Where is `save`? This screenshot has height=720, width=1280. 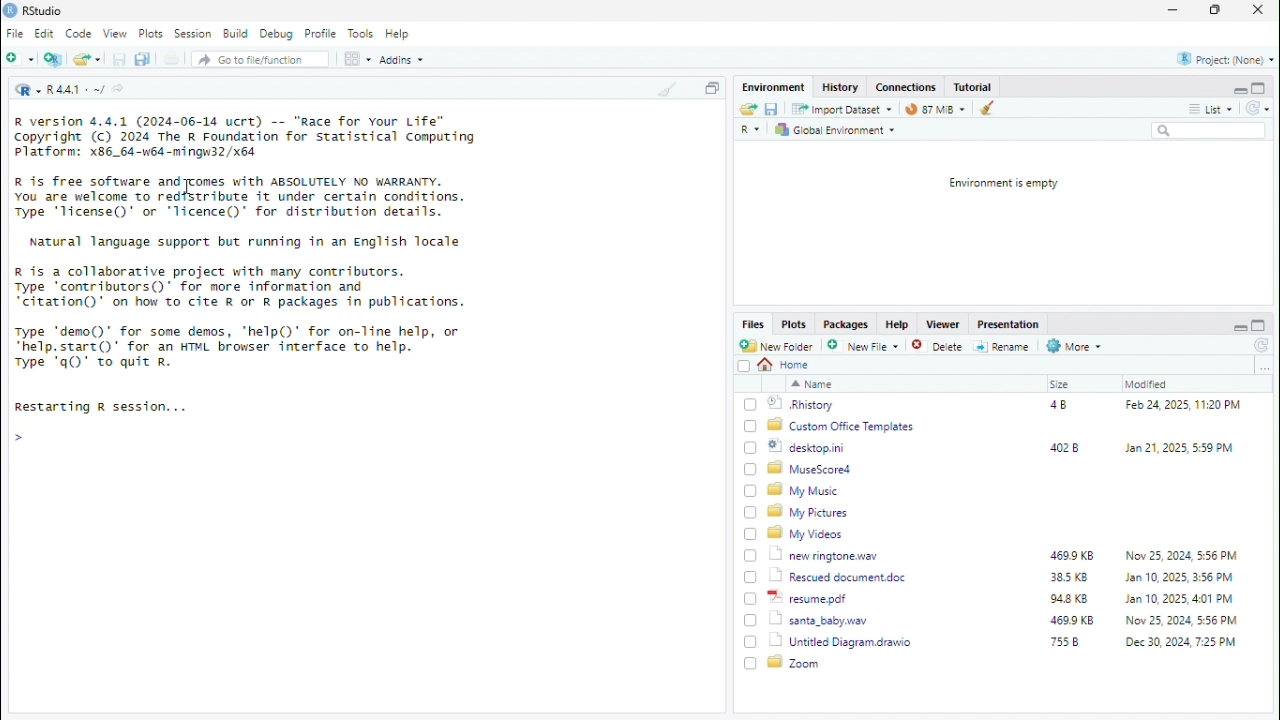 save is located at coordinates (119, 59).